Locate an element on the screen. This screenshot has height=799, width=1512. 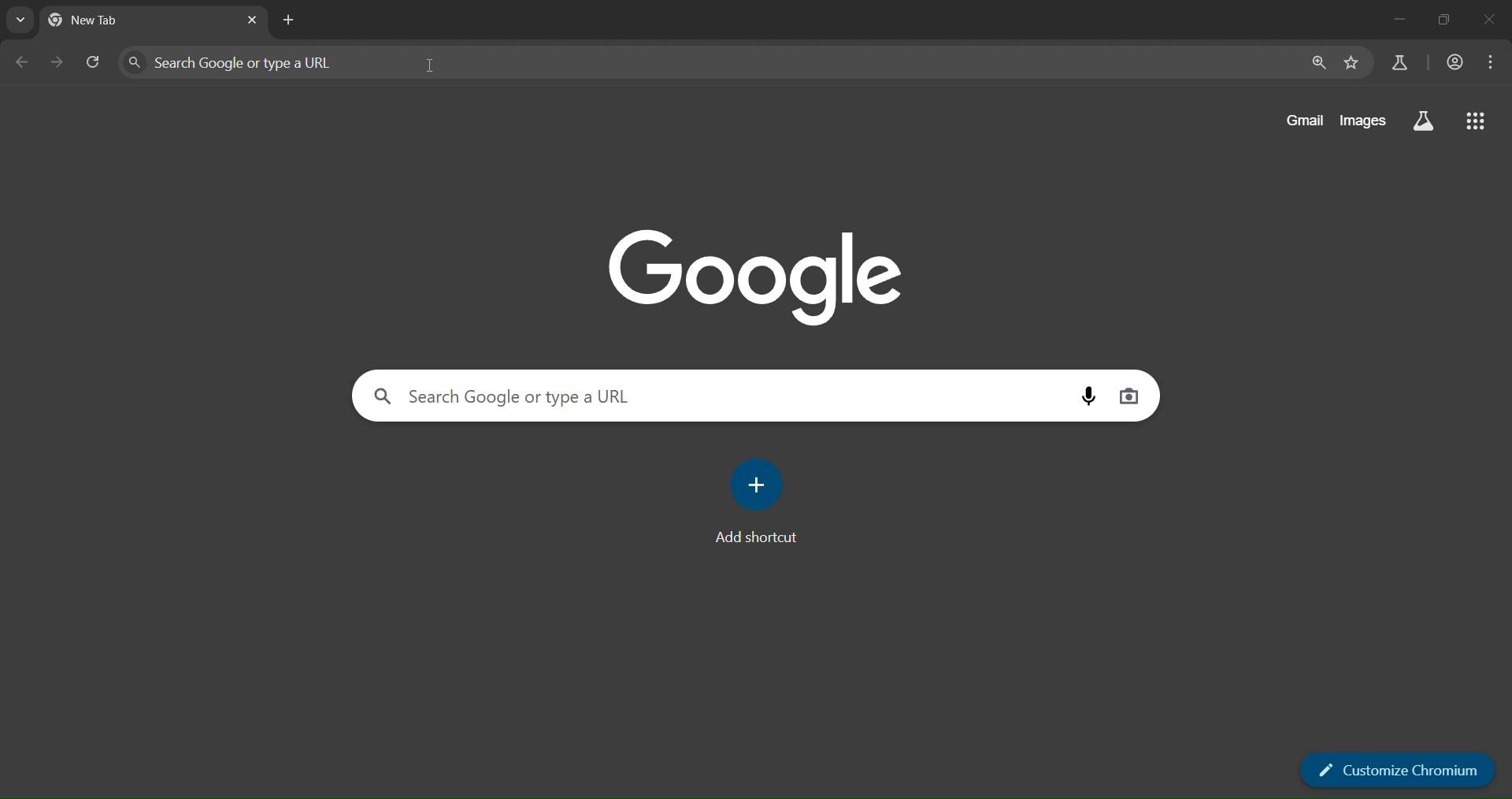
images is located at coordinates (1361, 120).